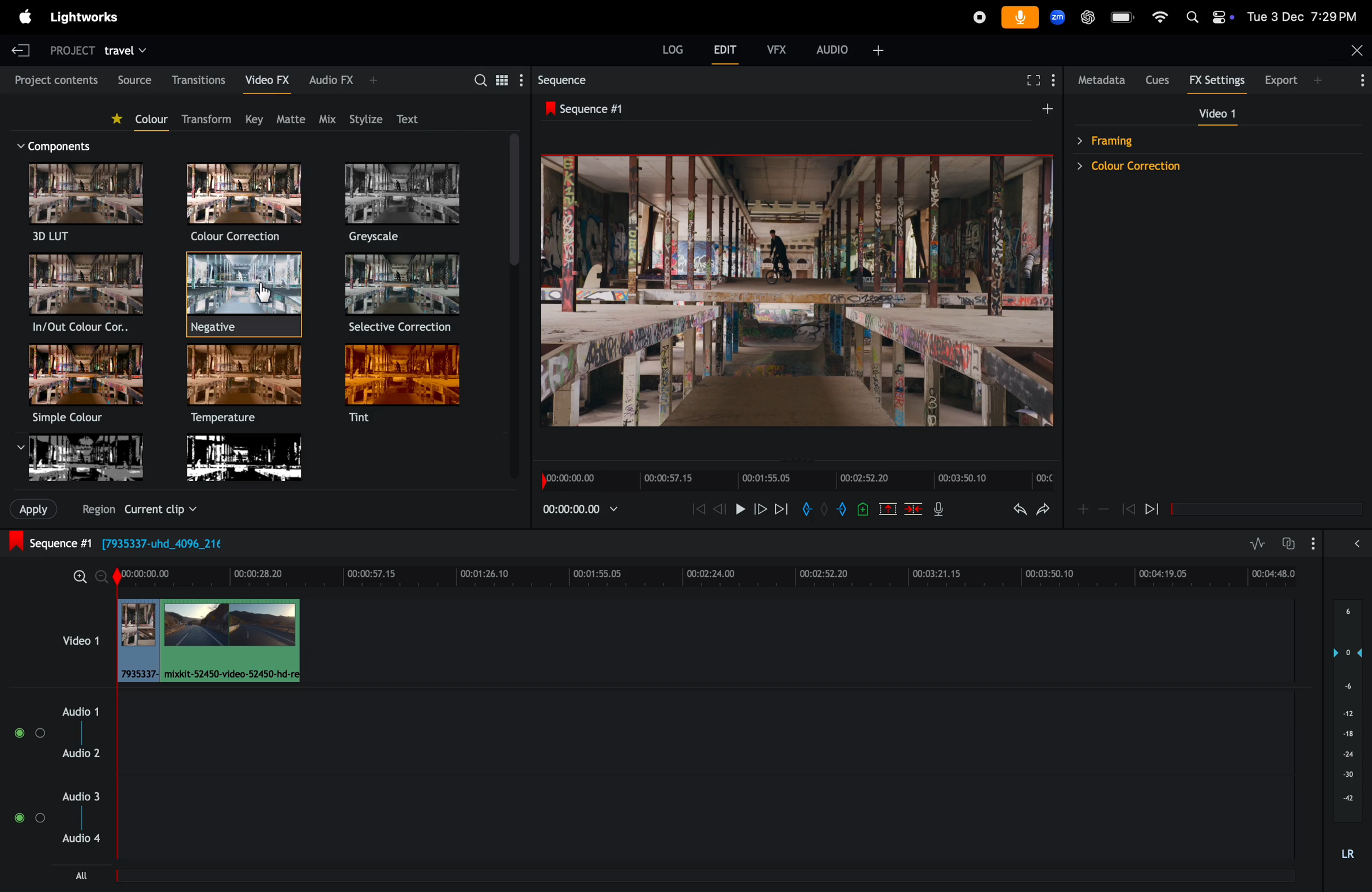 This screenshot has width=1372, height=892. I want to click on audio 1, so click(77, 710).